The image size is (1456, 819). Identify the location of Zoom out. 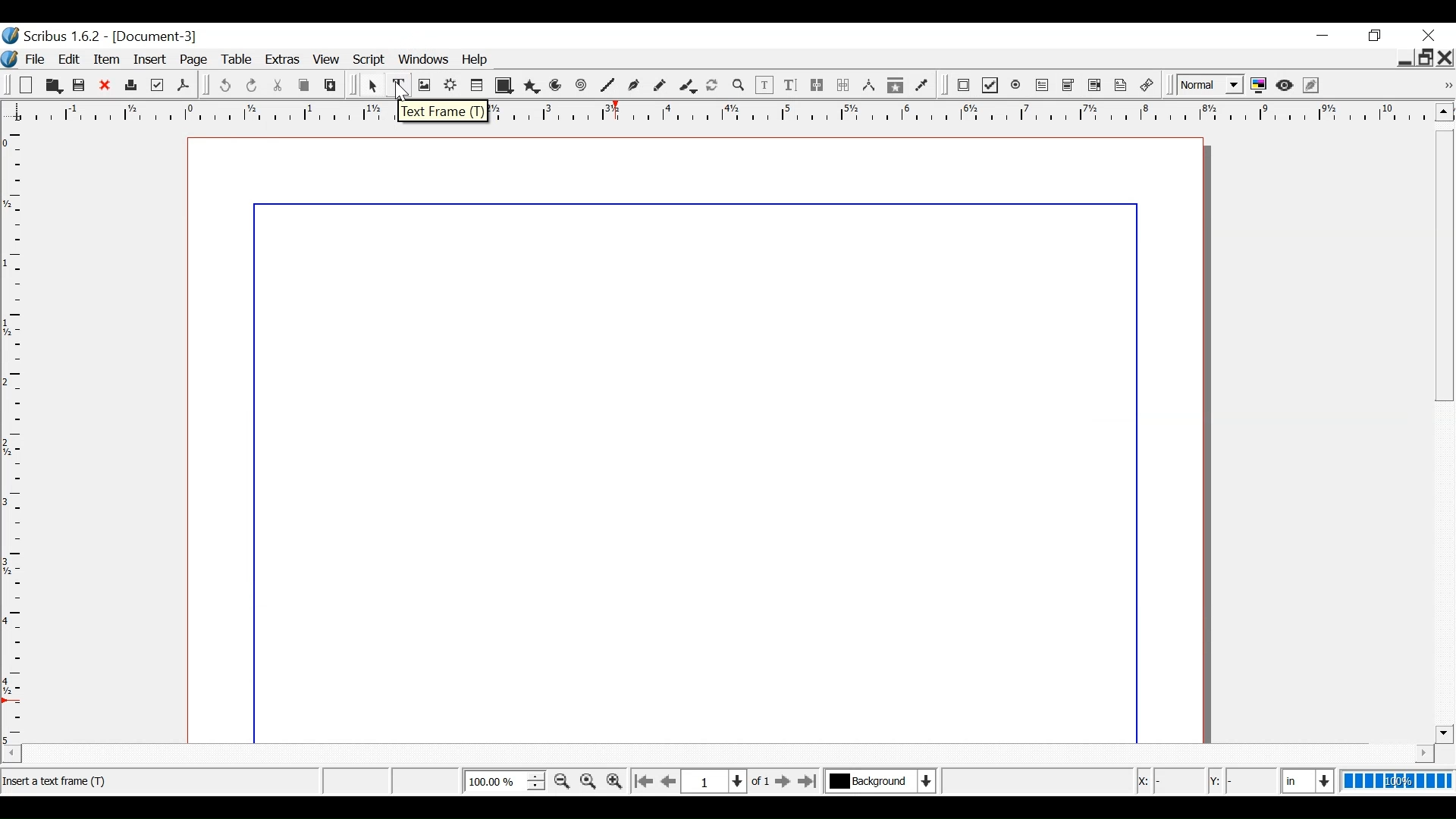
(562, 780).